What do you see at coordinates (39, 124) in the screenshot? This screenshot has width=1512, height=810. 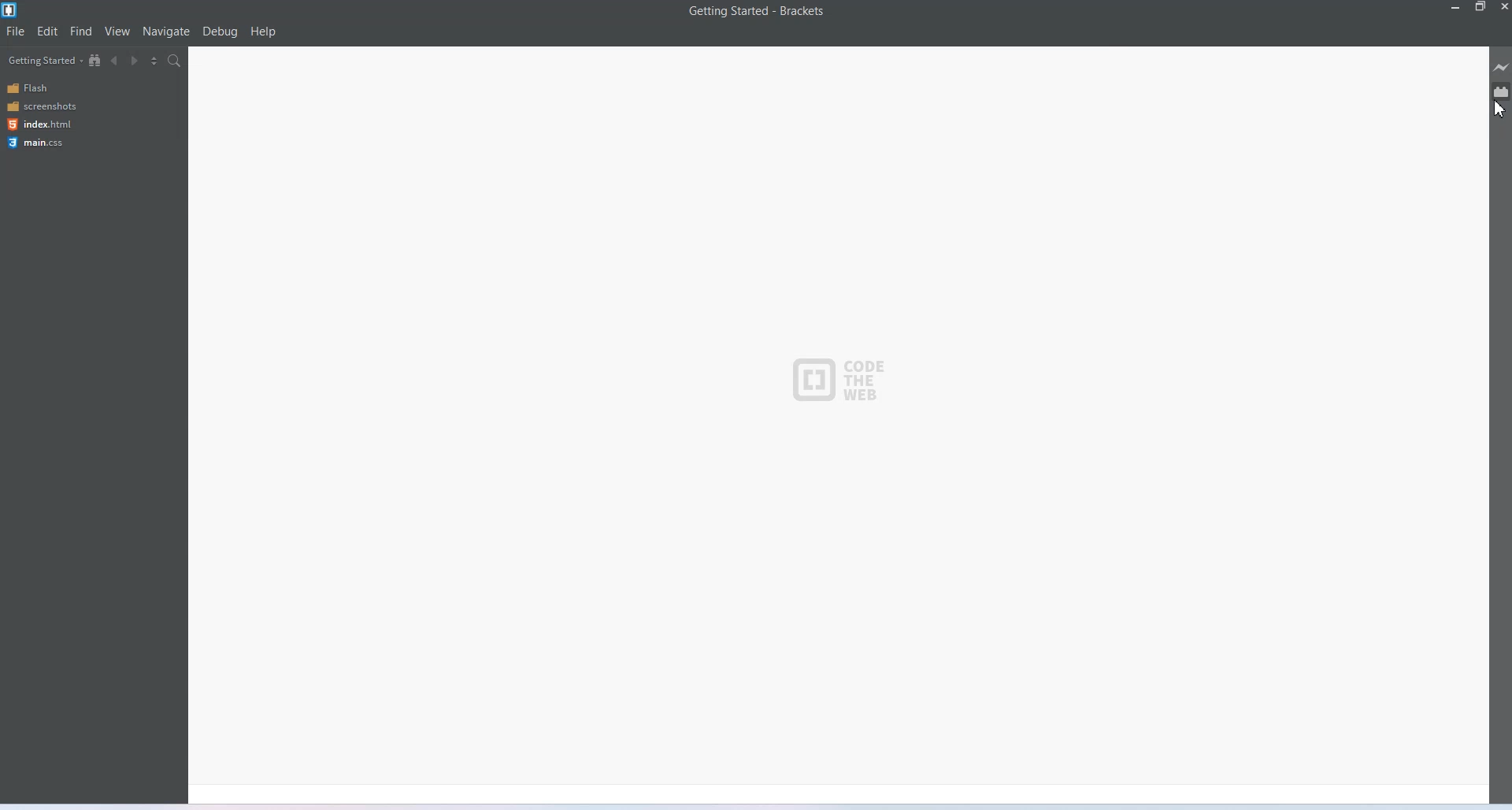 I see `index.html` at bounding box center [39, 124].